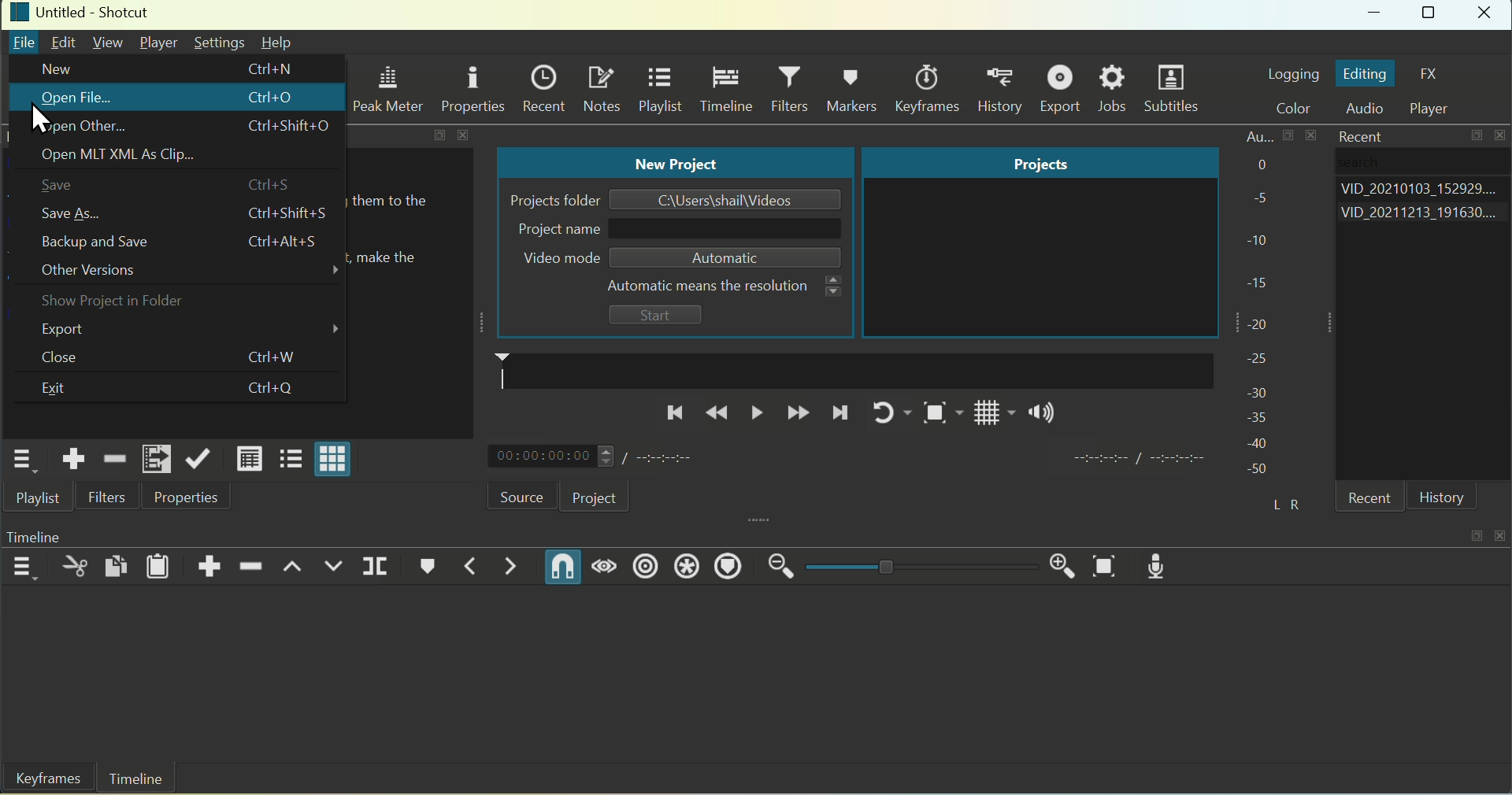  I want to click on Update, so click(198, 457).